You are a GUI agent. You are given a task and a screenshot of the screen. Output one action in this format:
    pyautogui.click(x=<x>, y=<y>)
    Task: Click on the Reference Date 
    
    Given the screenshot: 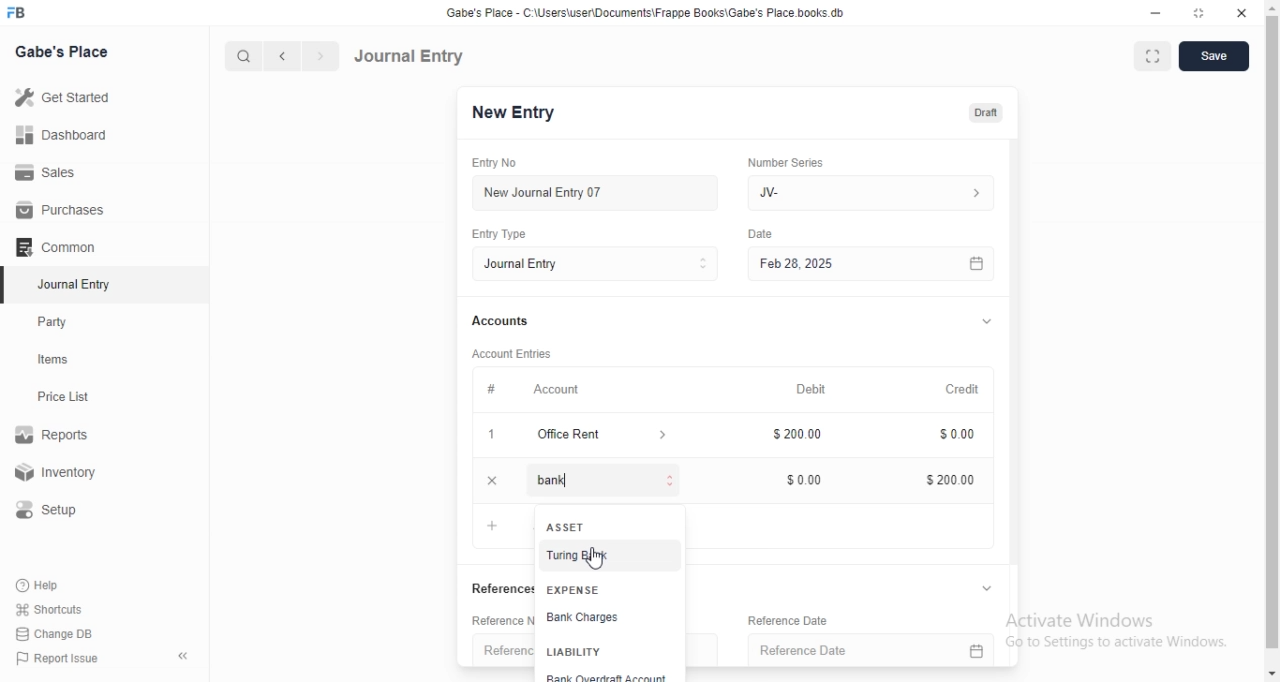 What is the action you would take?
    pyautogui.click(x=837, y=619)
    